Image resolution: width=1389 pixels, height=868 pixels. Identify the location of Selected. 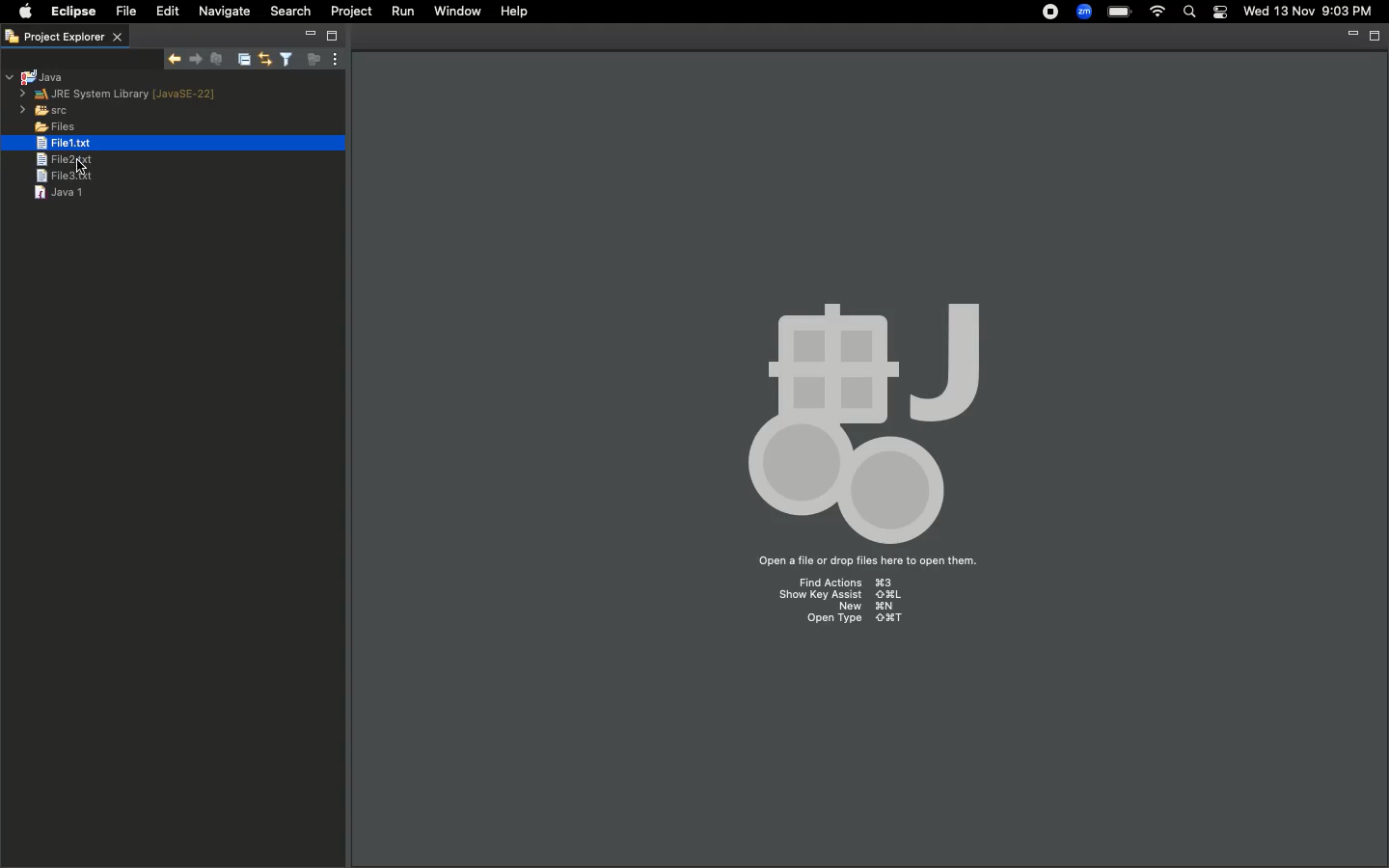
(68, 143).